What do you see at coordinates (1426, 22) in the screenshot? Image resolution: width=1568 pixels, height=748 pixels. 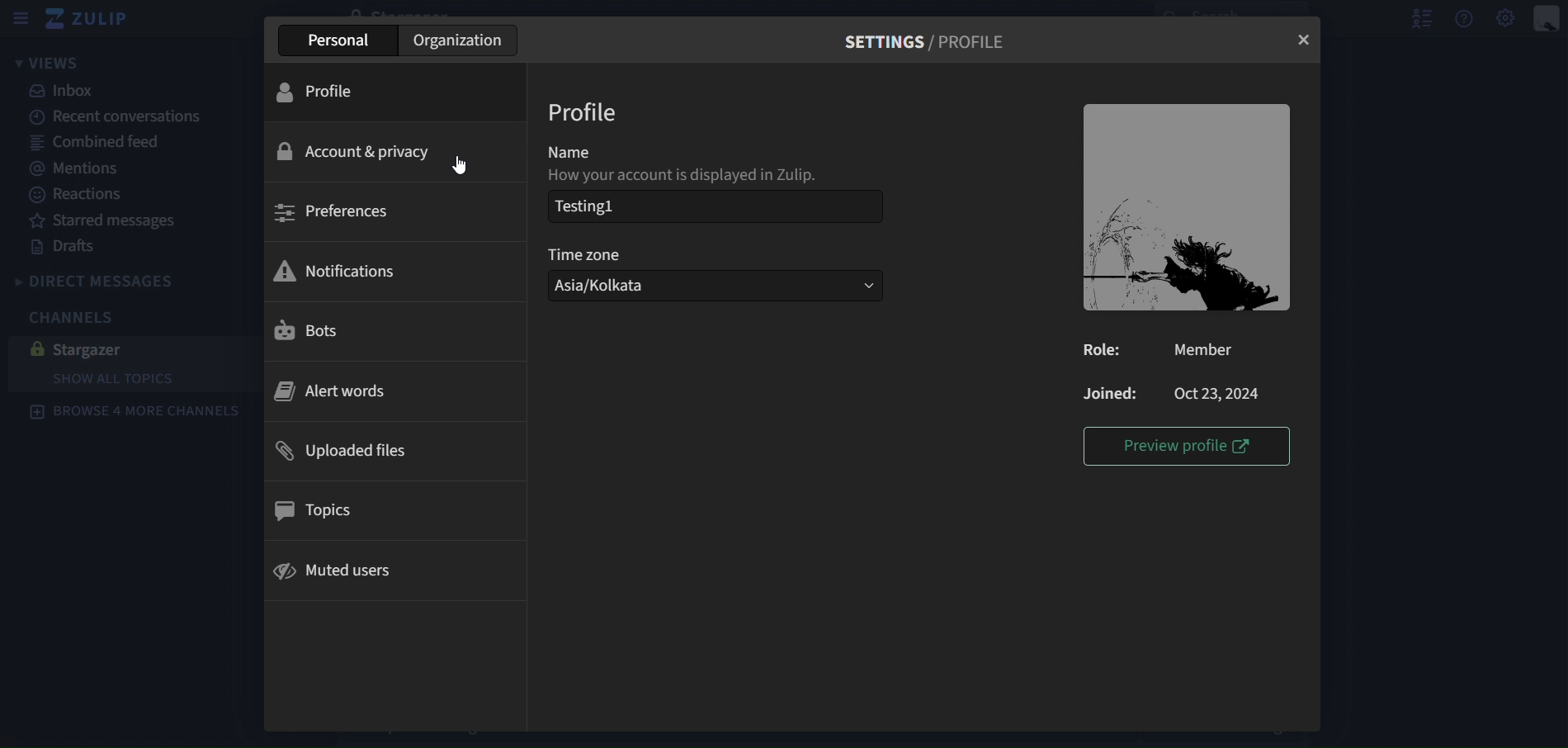 I see `hide user list` at bounding box center [1426, 22].